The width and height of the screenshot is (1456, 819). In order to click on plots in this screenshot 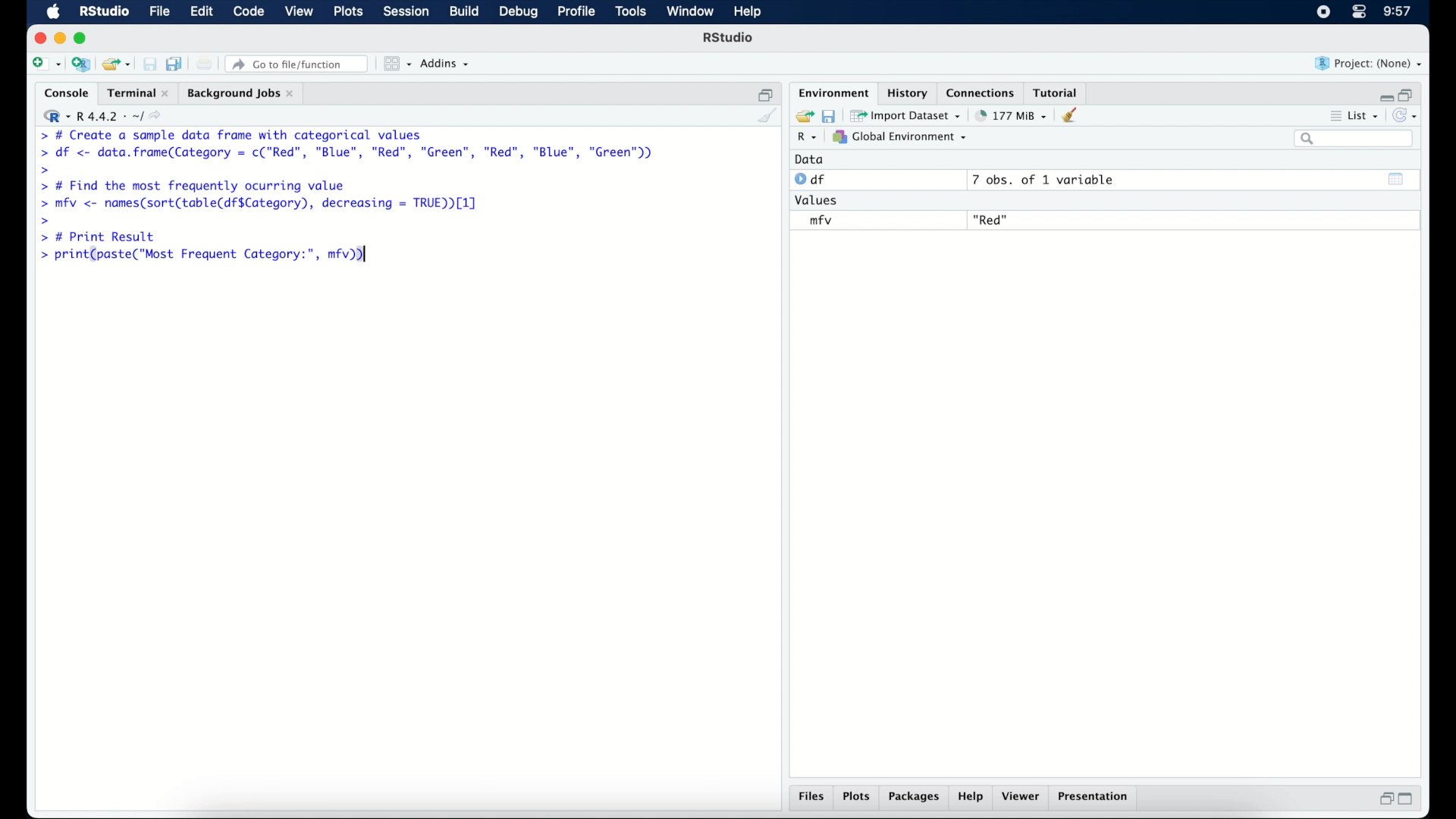, I will do `click(857, 798)`.